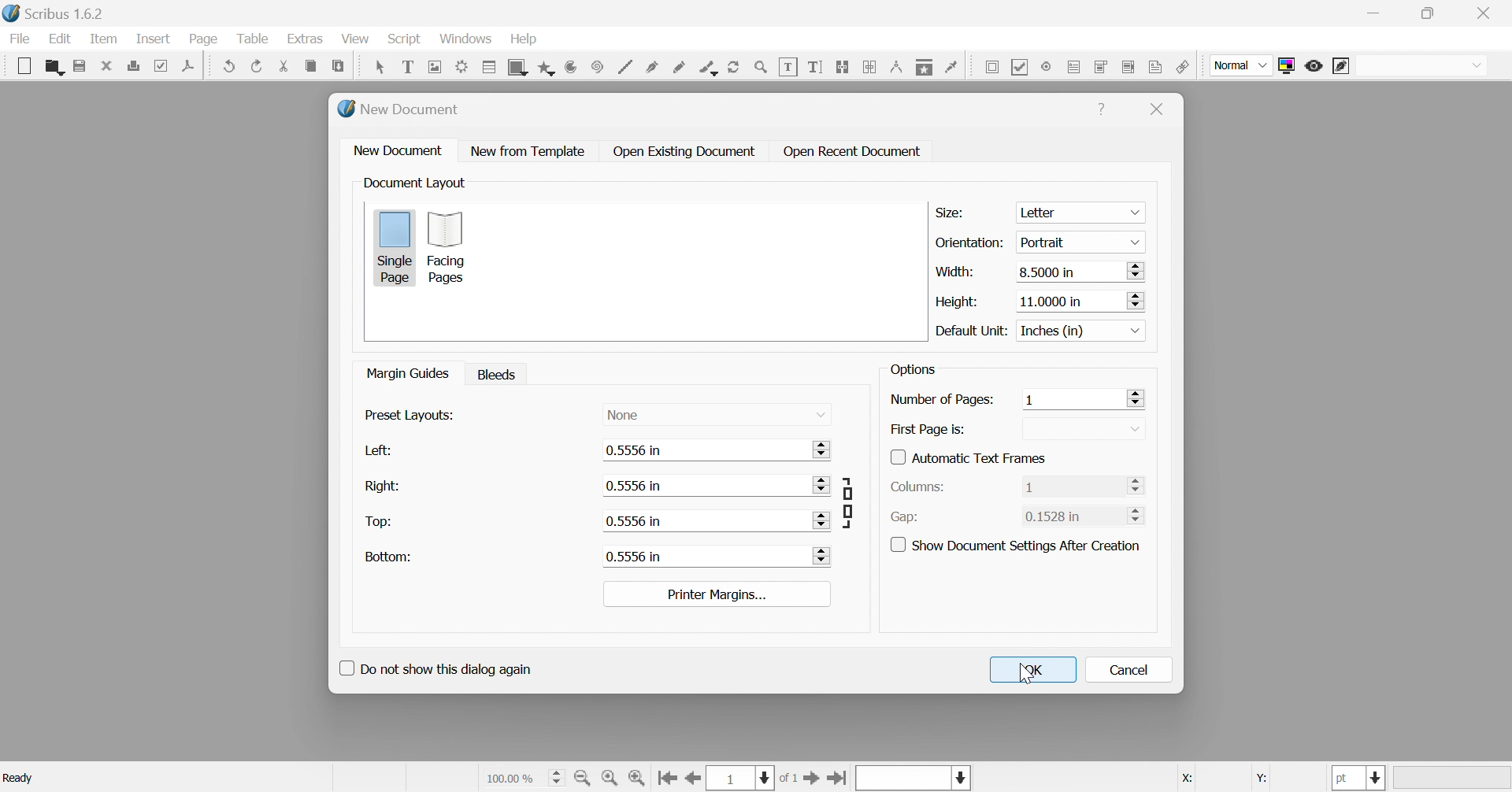 The width and height of the screenshot is (1512, 792). What do you see at coordinates (817, 65) in the screenshot?
I see `edit text with story editor` at bounding box center [817, 65].